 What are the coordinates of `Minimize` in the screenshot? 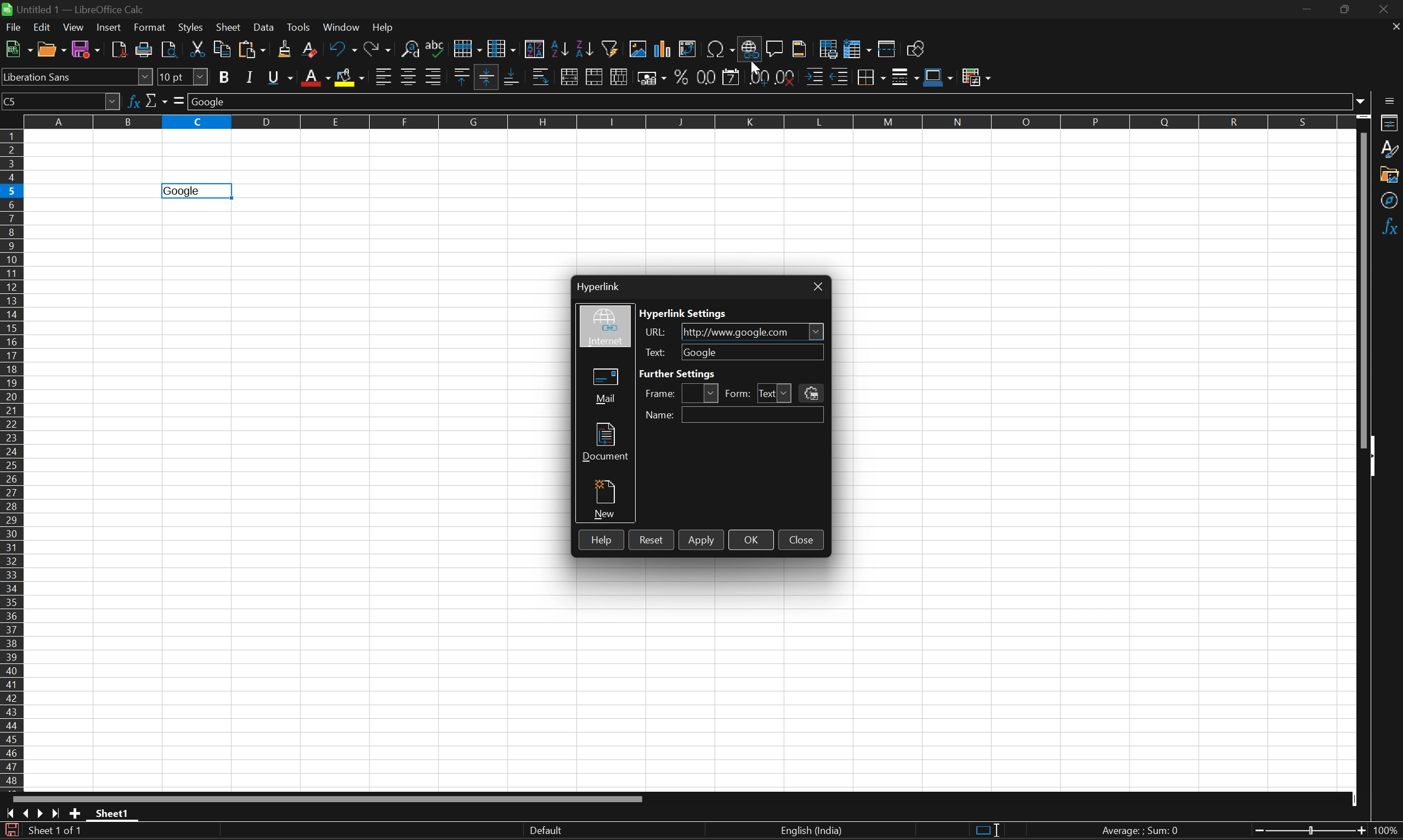 It's located at (1308, 10).